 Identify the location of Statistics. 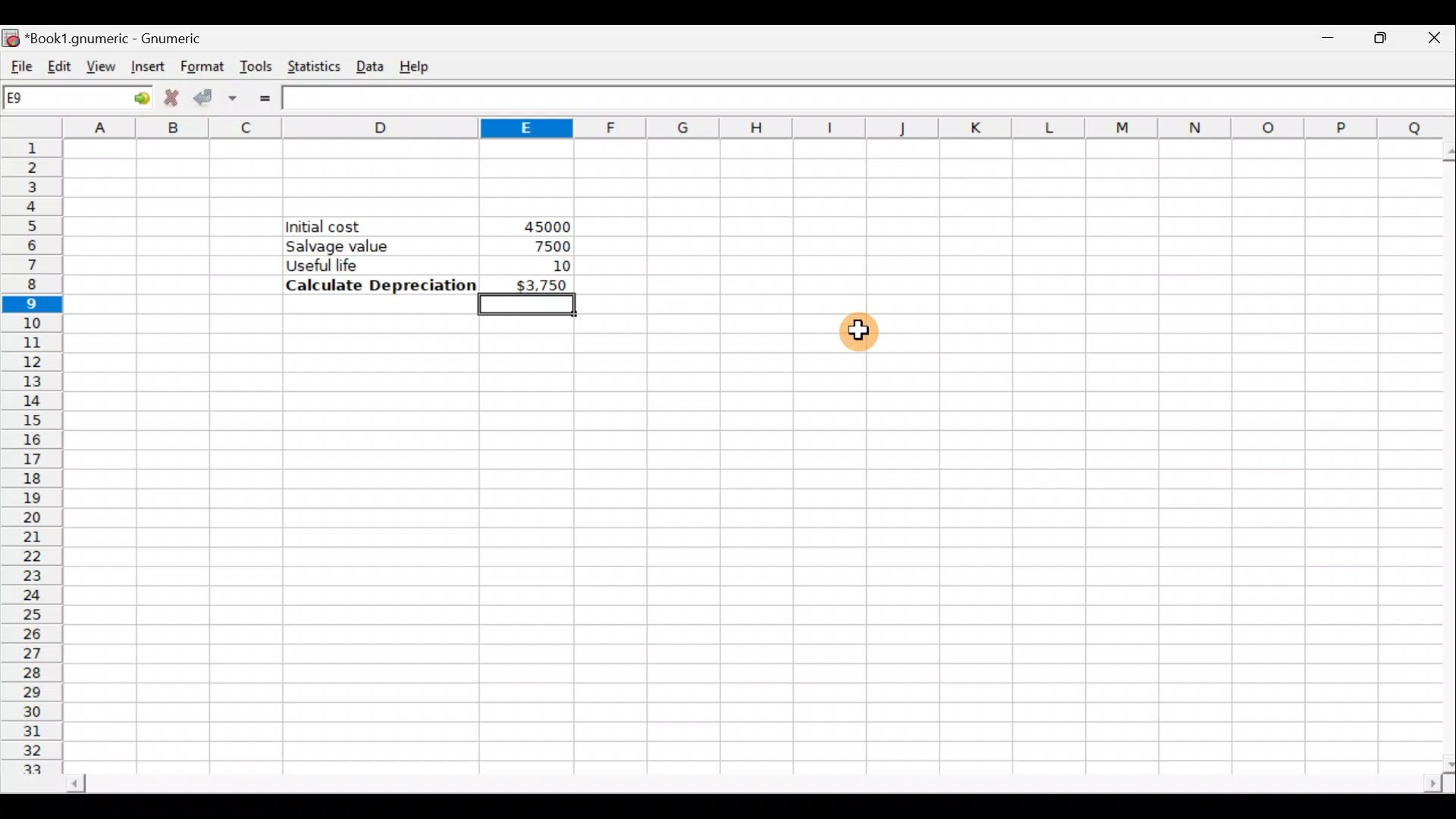
(314, 63).